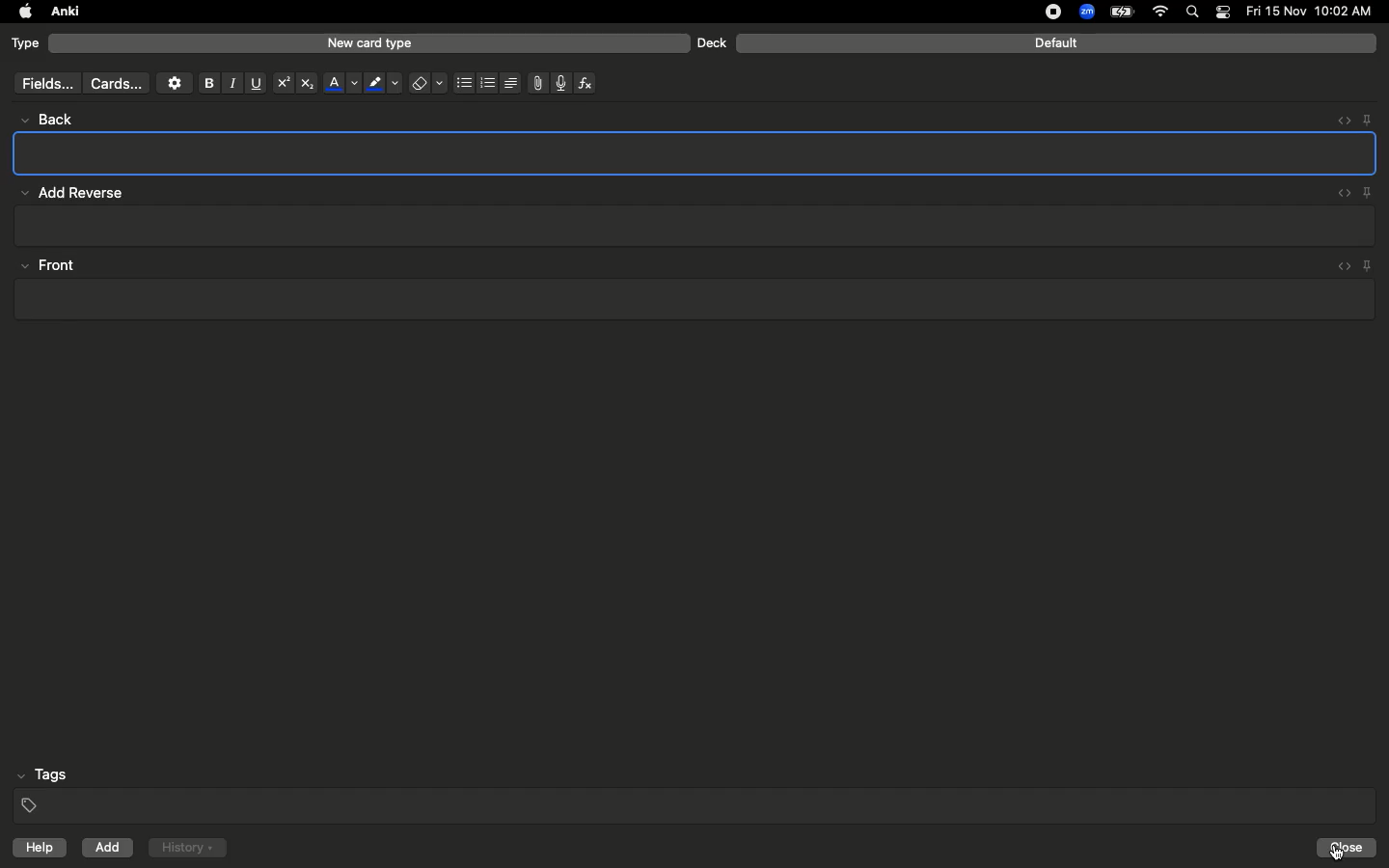 The height and width of the screenshot is (868, 1389). What do you see at coordinates (1337, 851) in the screenshot?
I see `cursor` at bounding box center [1337, 851].